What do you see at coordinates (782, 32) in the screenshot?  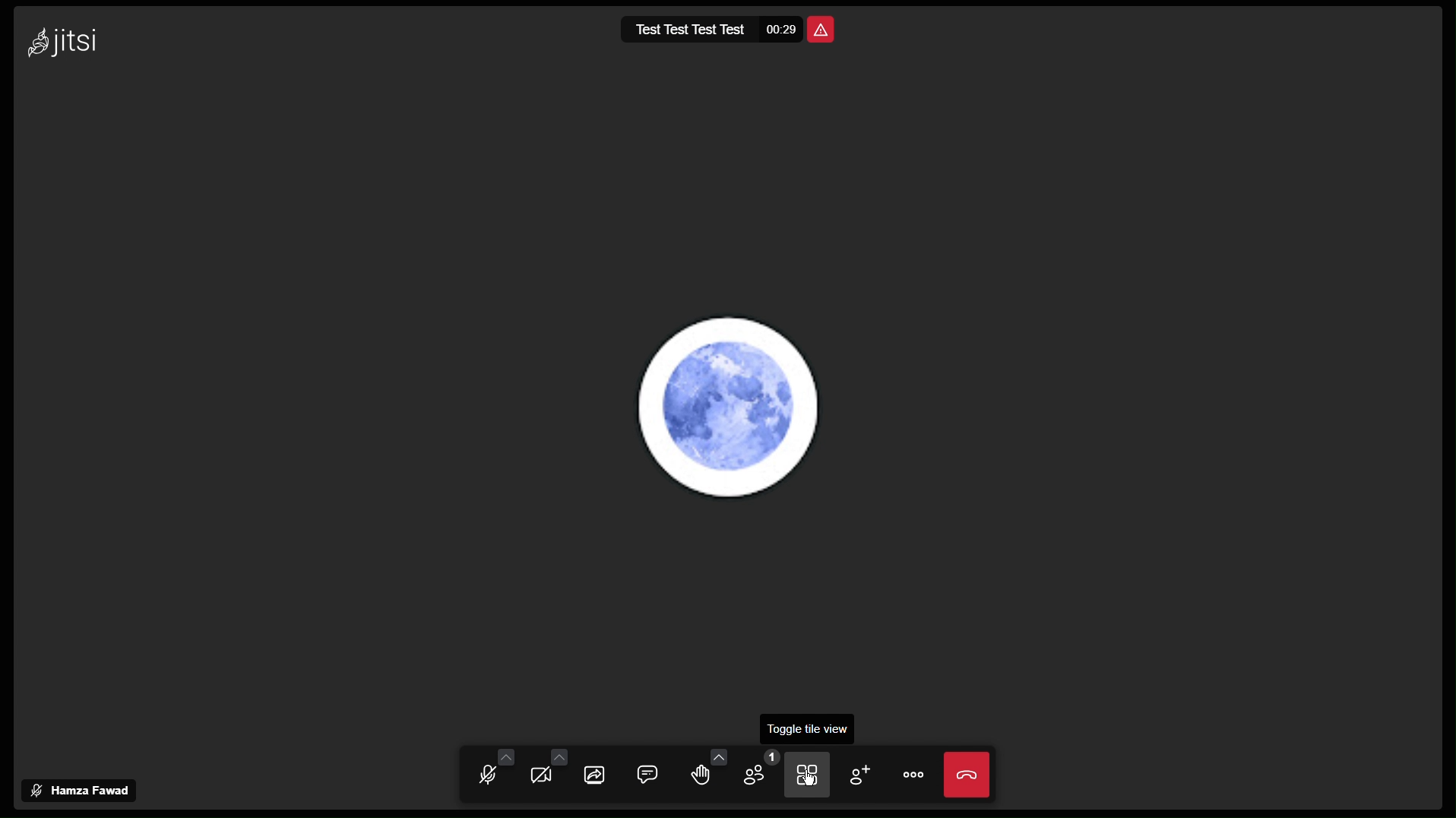 I see `Time` at bounding box center [782, 32].